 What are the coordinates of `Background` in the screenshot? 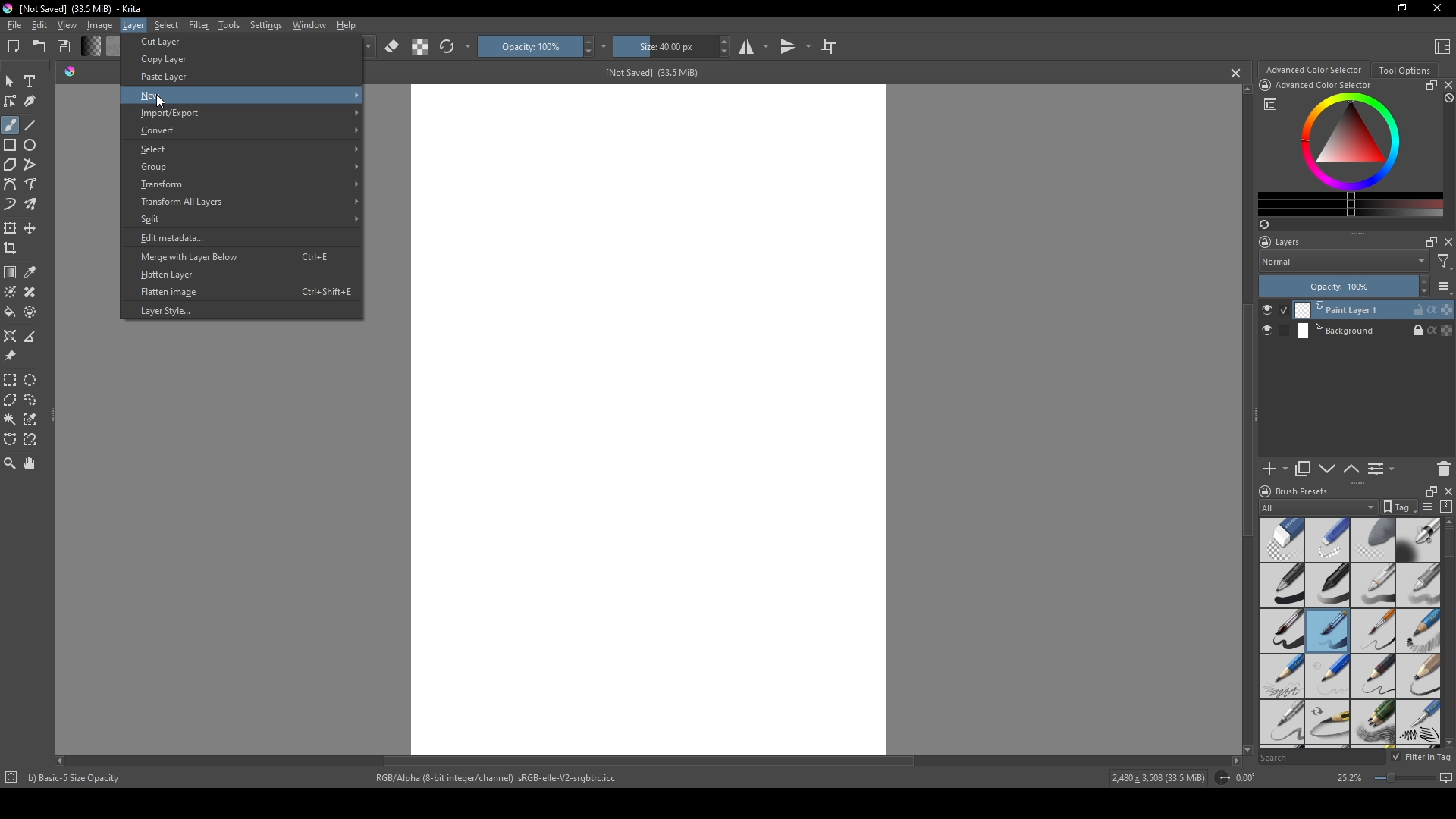 It's located at (1374, 331).